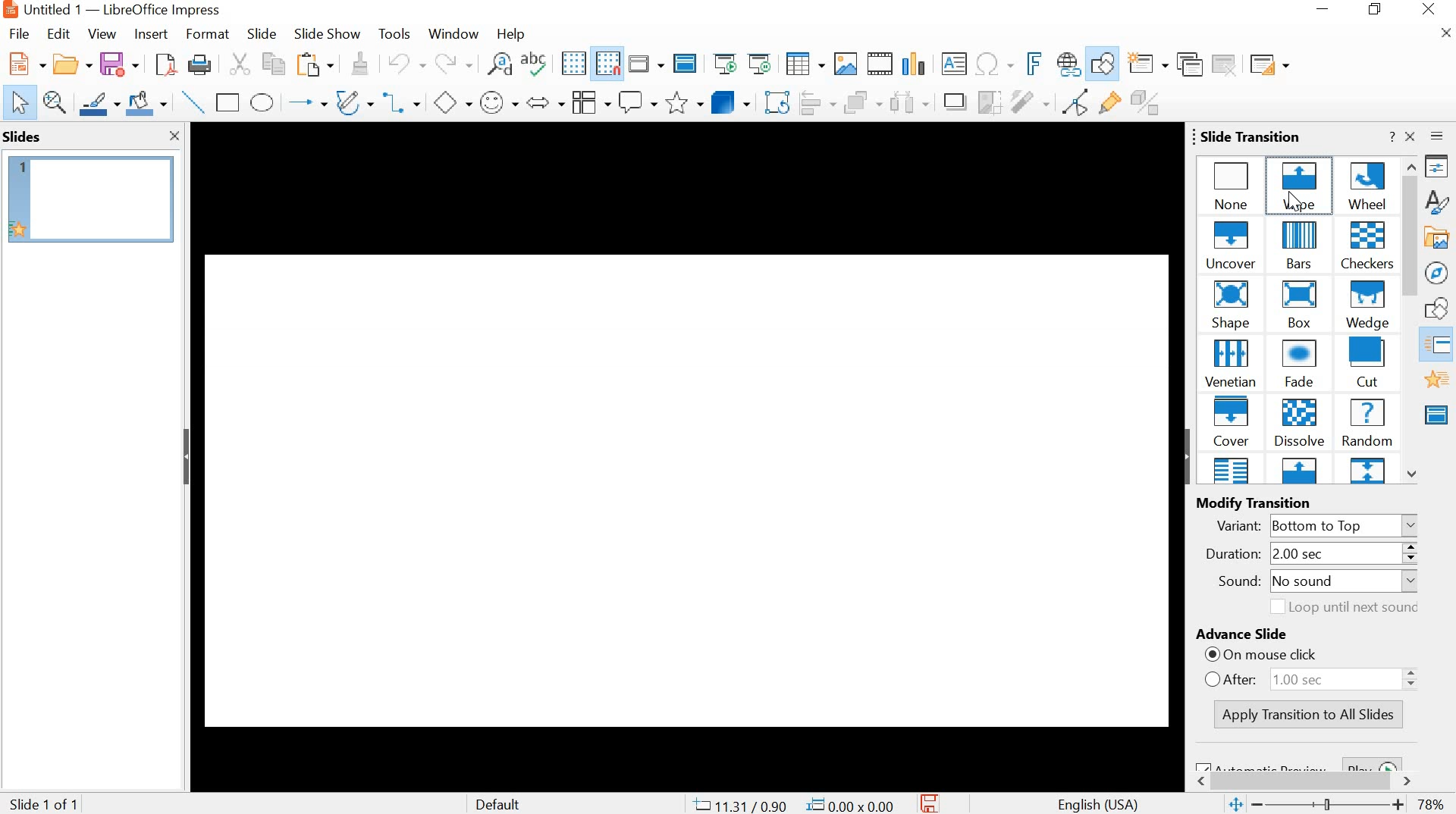 This screenshot has width=1456, height=814. Describe the element at coordinates (637, 102) in the screenshot. I see `callout shapes` at that location.